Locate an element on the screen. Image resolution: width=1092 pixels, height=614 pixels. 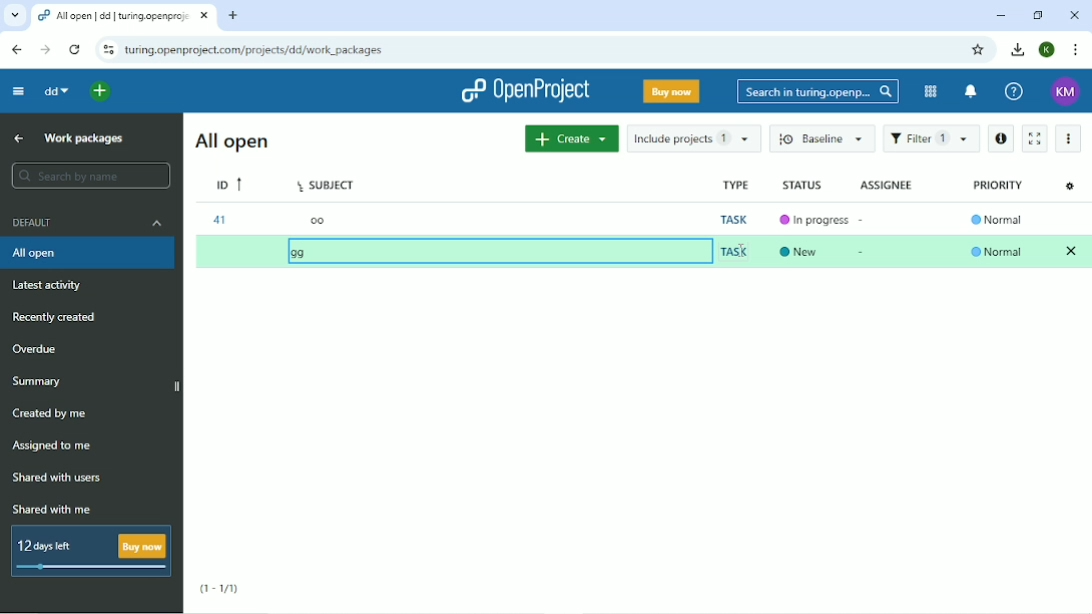
Open quick add menu is located at coordinates (100, 92).